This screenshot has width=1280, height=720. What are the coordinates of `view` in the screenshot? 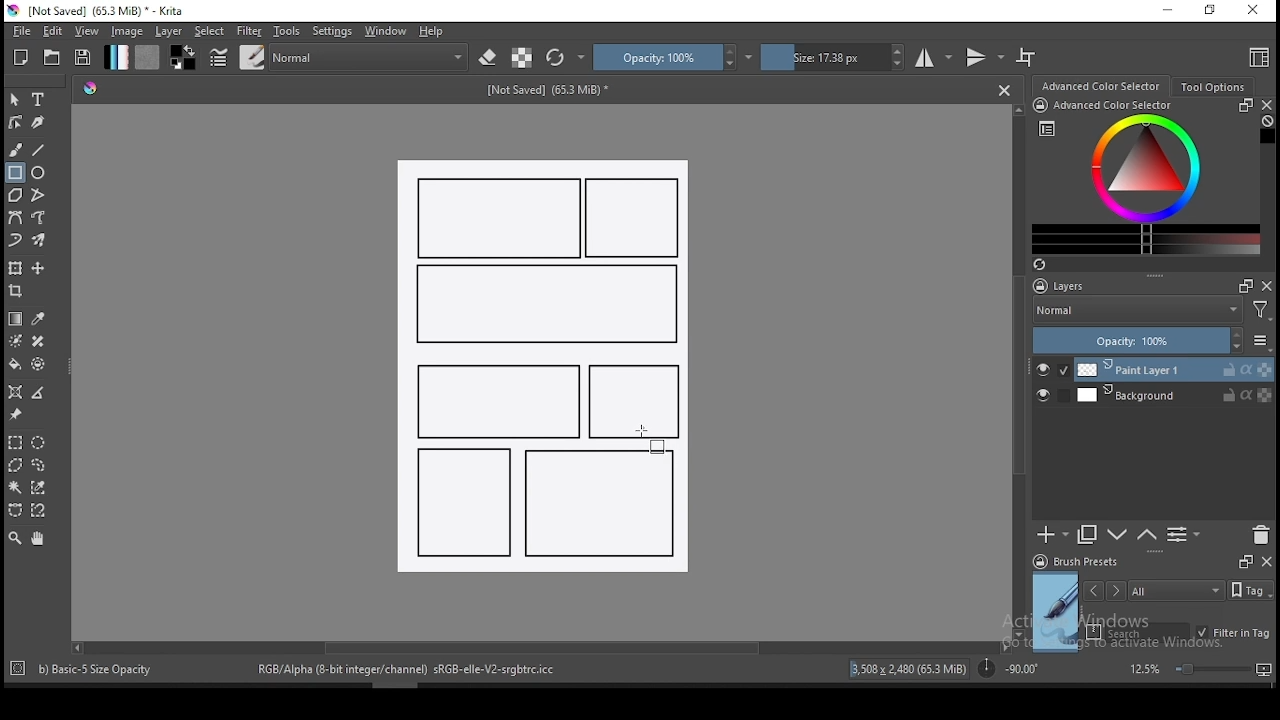 It's located at (86, 31).